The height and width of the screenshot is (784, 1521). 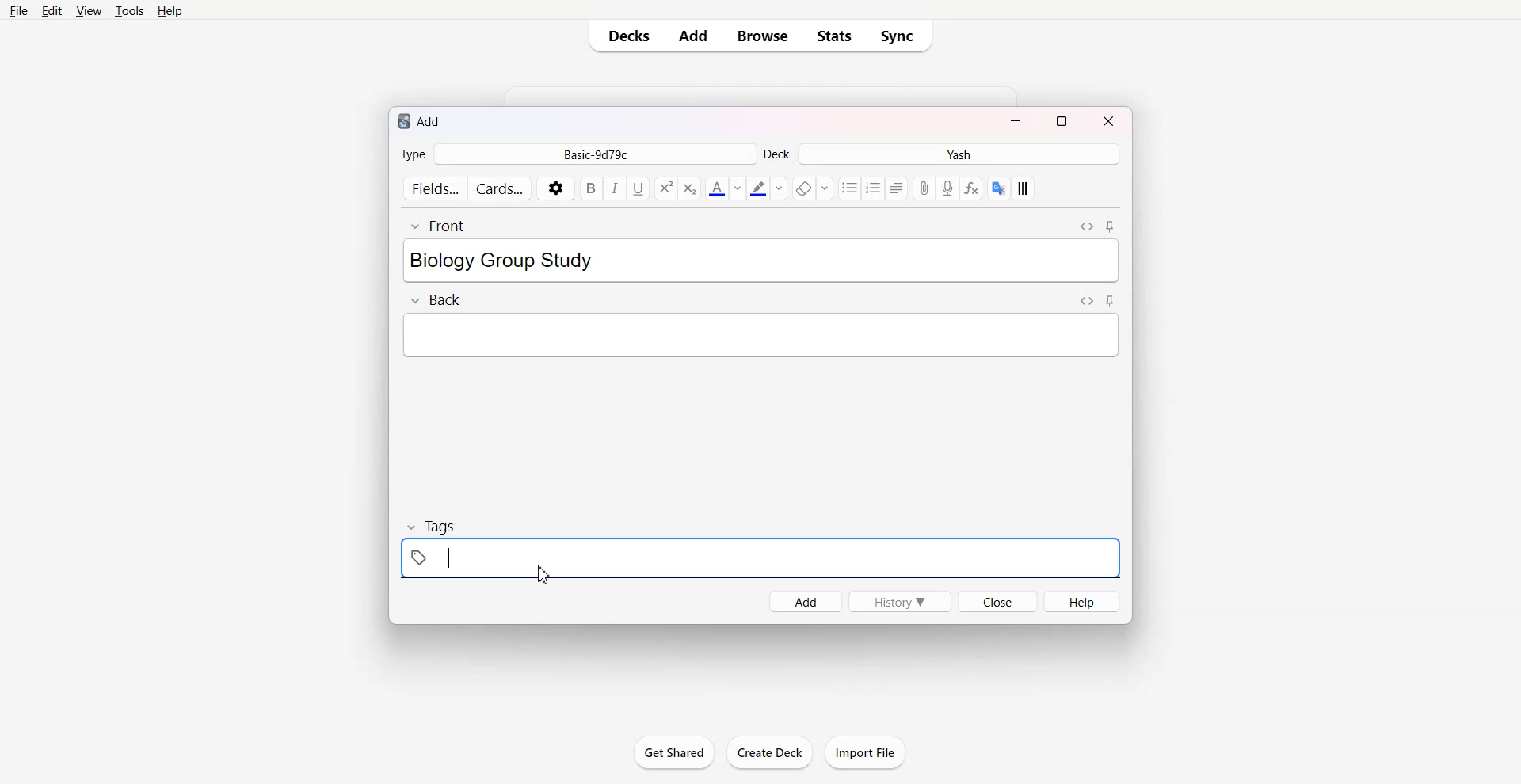 What do you see at coordinates (850, 188) in the screenshot?
I see `Unorder list` at bounding box center [850, 188].